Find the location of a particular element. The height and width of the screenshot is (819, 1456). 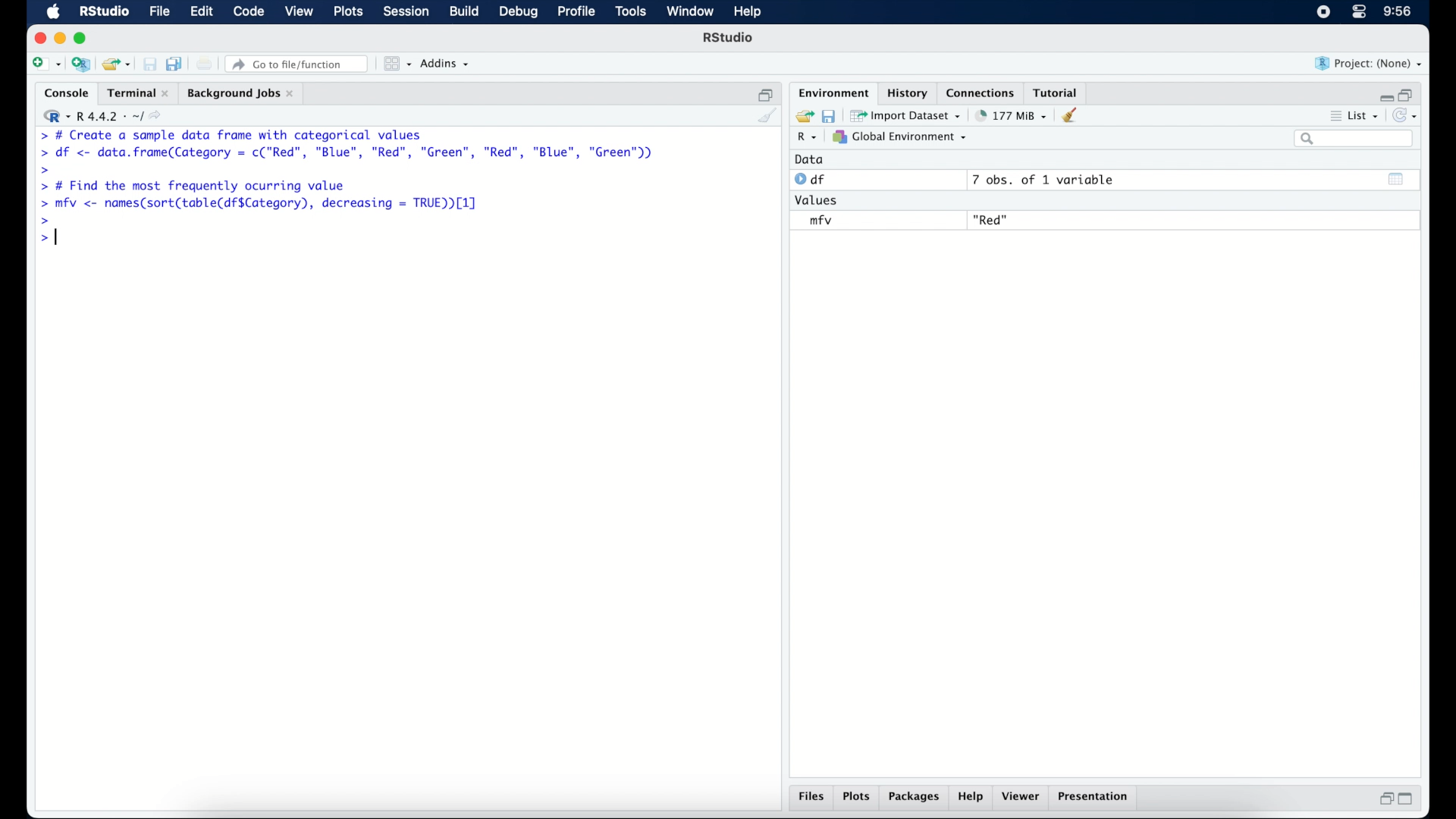

R studio is located at coordinates (104, 12).